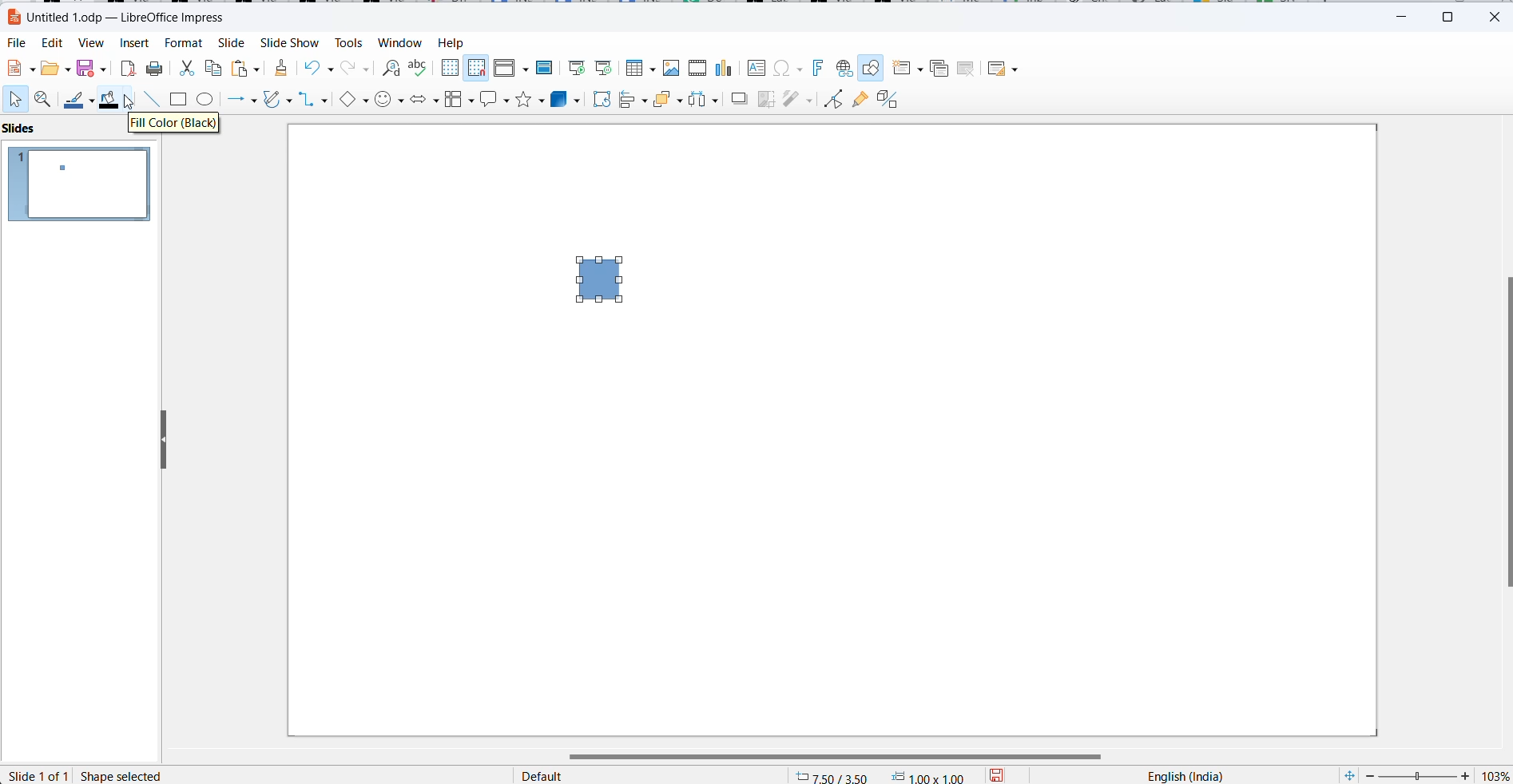 The height and width of the screenshot is (784, 1513). What do you see at coordinates (1347, 775) in the screenshot?
I see `fit slide to current windows` at bounding box center [1347, 775].